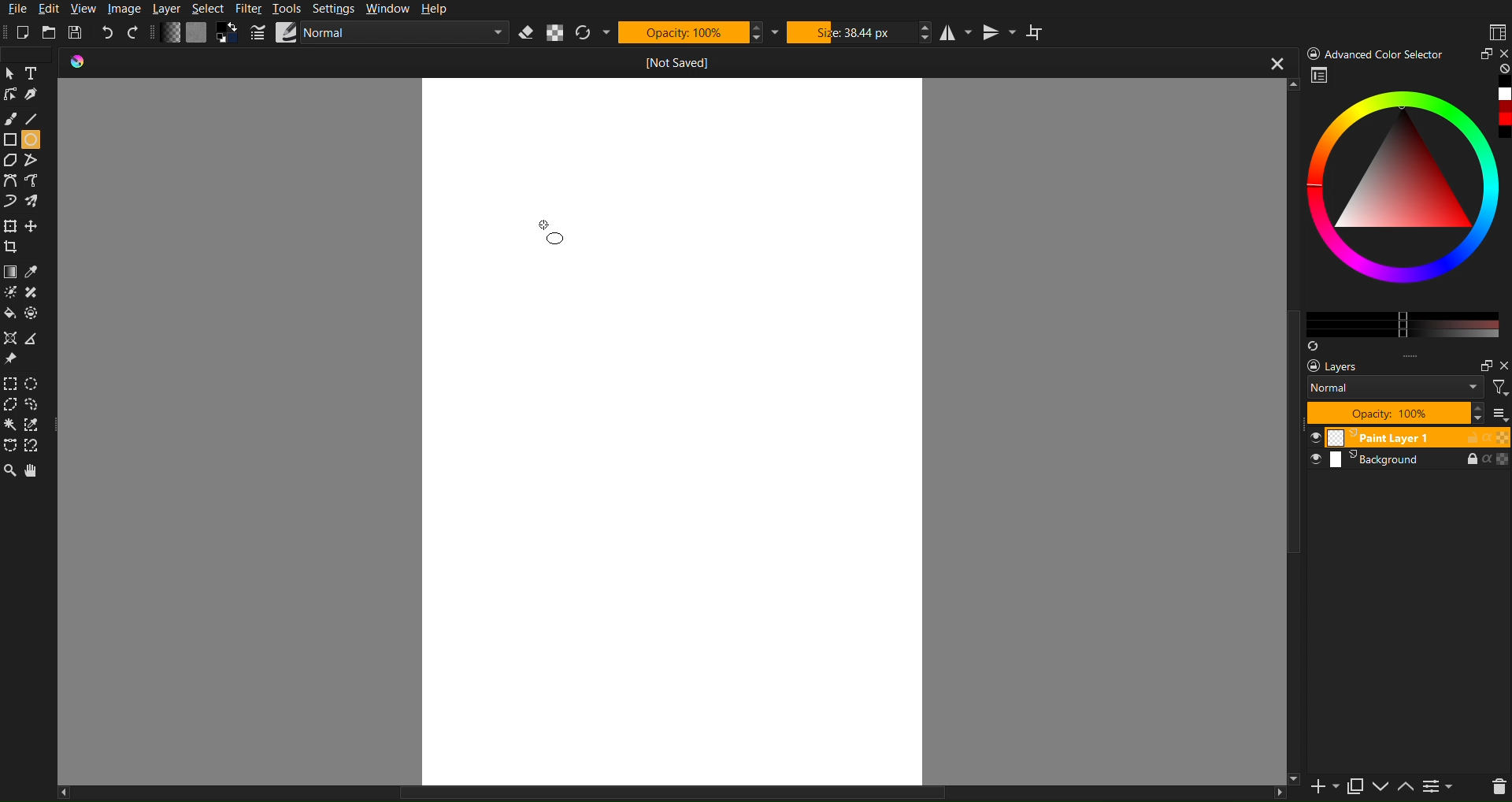 This screenshot has width=1512, height=802. What do you see at coordinates (9, 225) in the screenshot?
I see `Move Tools` at bounding box center [9, 225].